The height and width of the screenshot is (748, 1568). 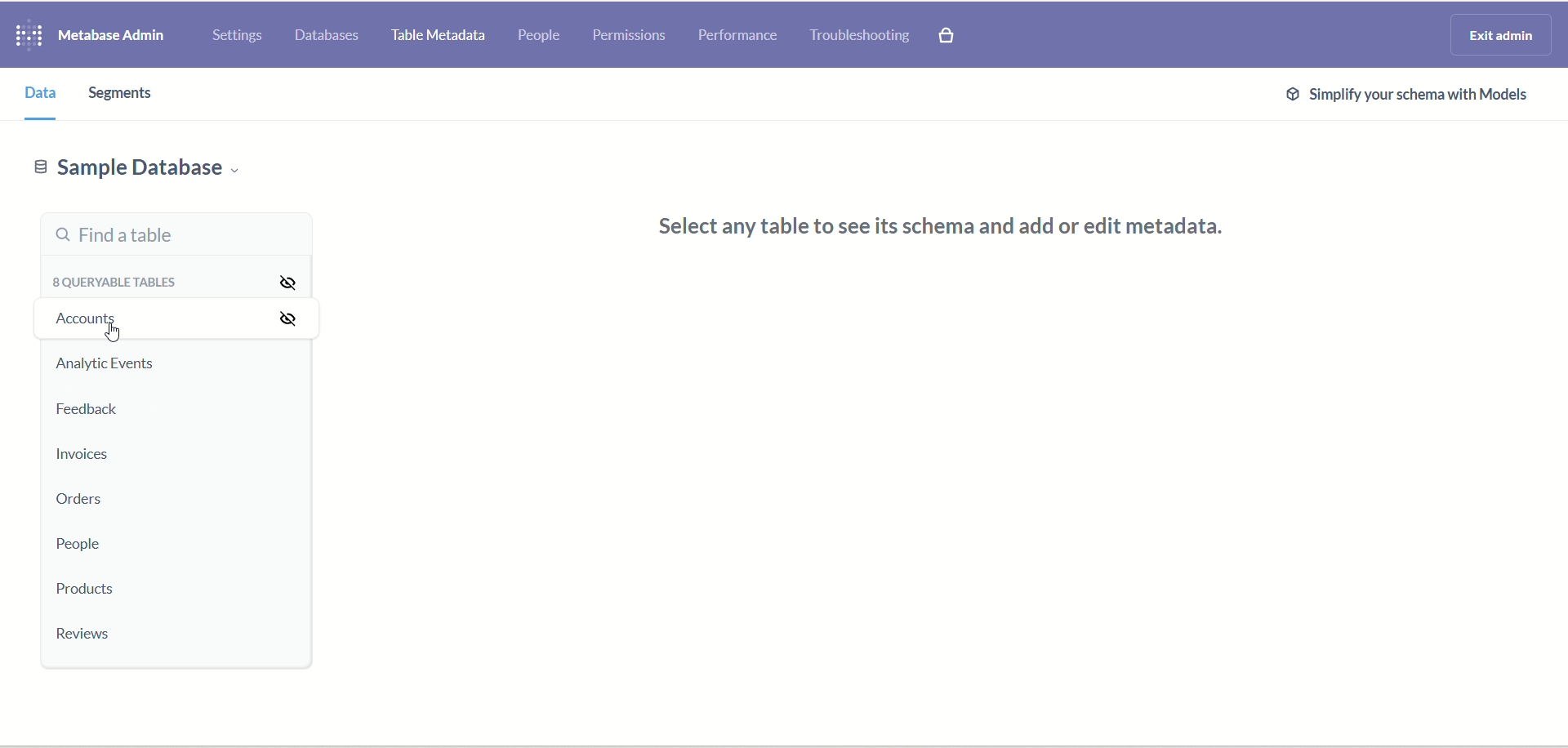 What do you see at coordinates (100, 319) in the screenshot?
I see `account` at bounding box center [100, 319].